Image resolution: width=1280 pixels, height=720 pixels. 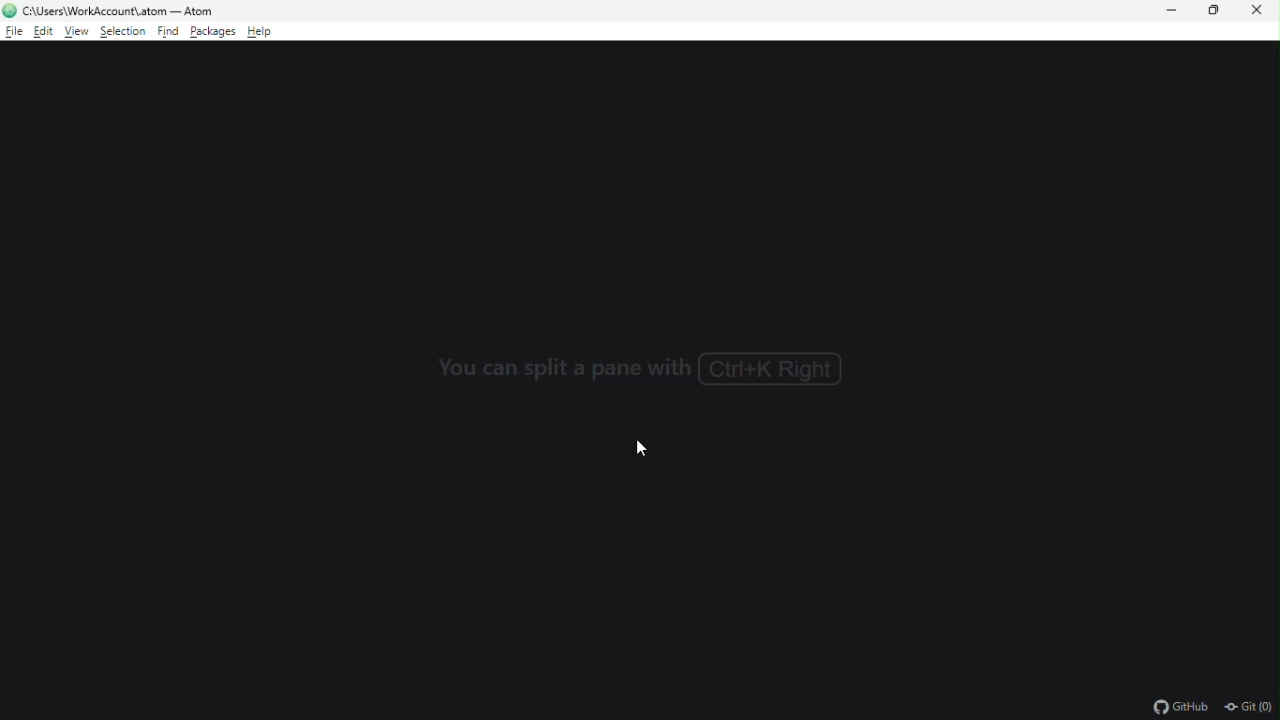 What do you see at coordinates (77, 32) in the screenshot?
I see `view ` at bounding box center [77, 32].